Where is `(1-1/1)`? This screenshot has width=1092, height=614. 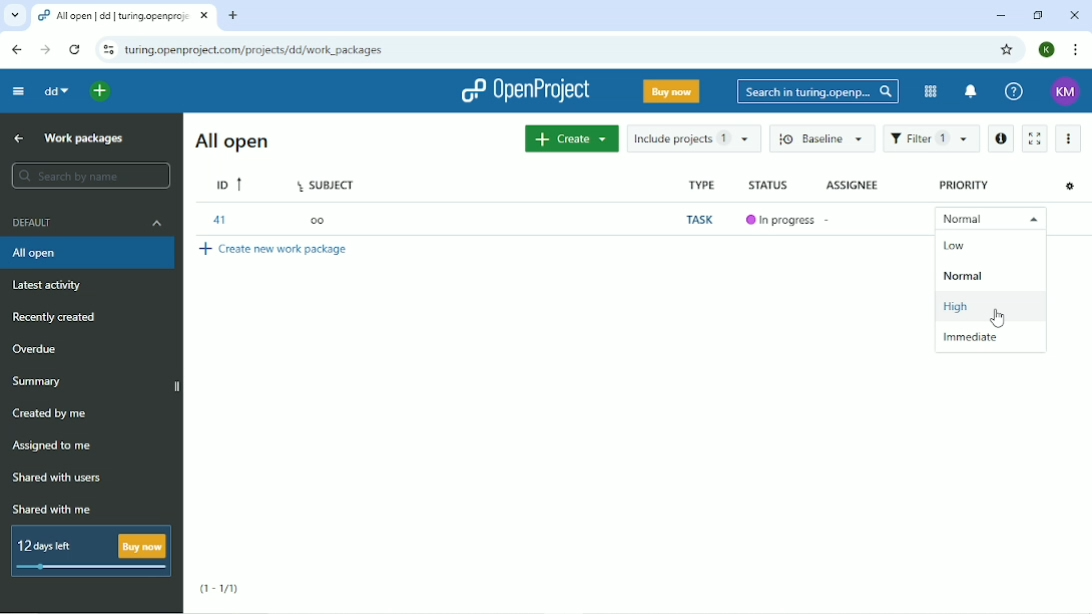
(1-1/1) is located at coordinates (223, 590).